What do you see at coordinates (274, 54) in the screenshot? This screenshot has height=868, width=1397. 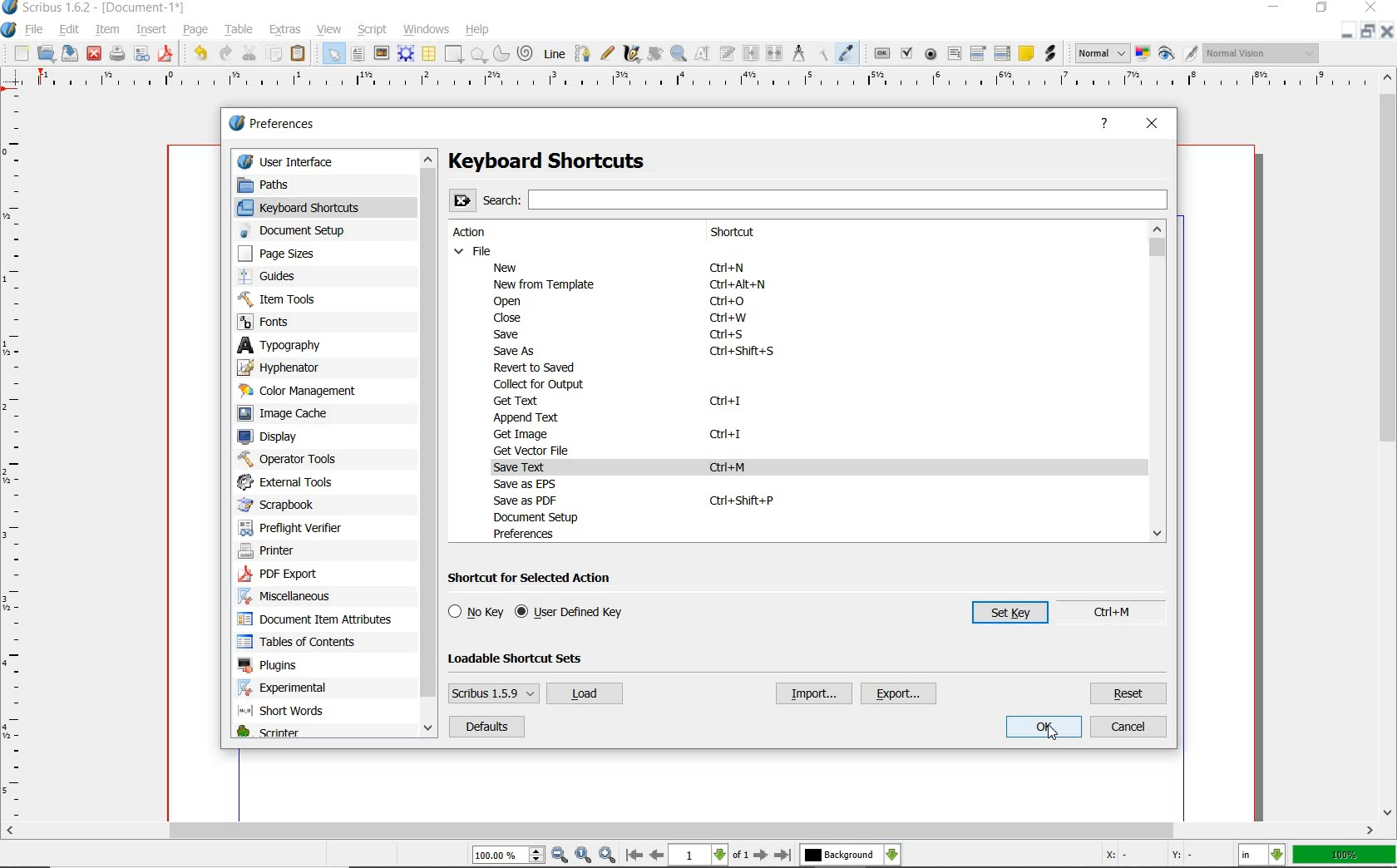 I see `copy` at bounding box center [274, 54].